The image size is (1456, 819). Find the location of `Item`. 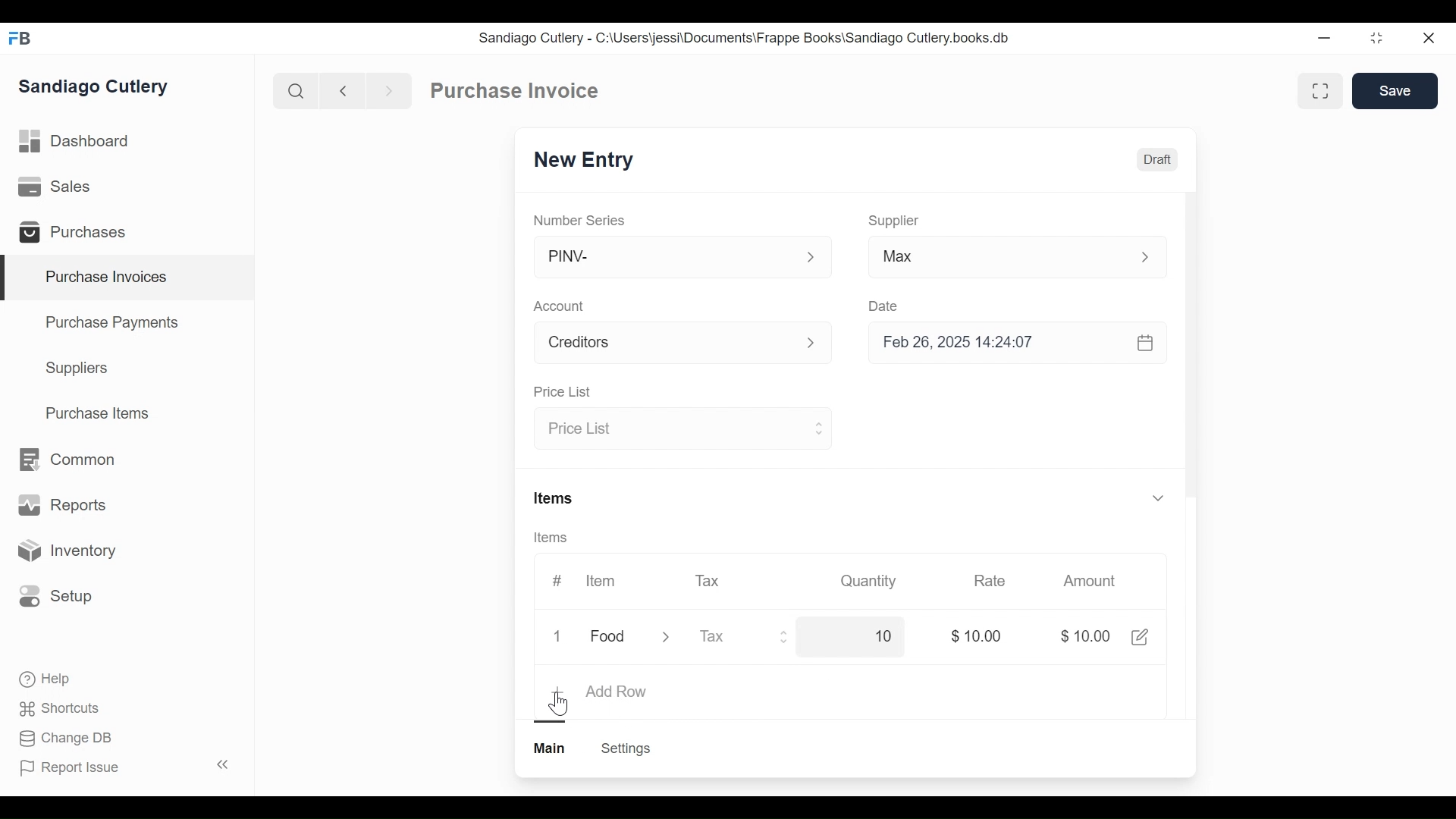

Item is located at coordinates (599, 581).